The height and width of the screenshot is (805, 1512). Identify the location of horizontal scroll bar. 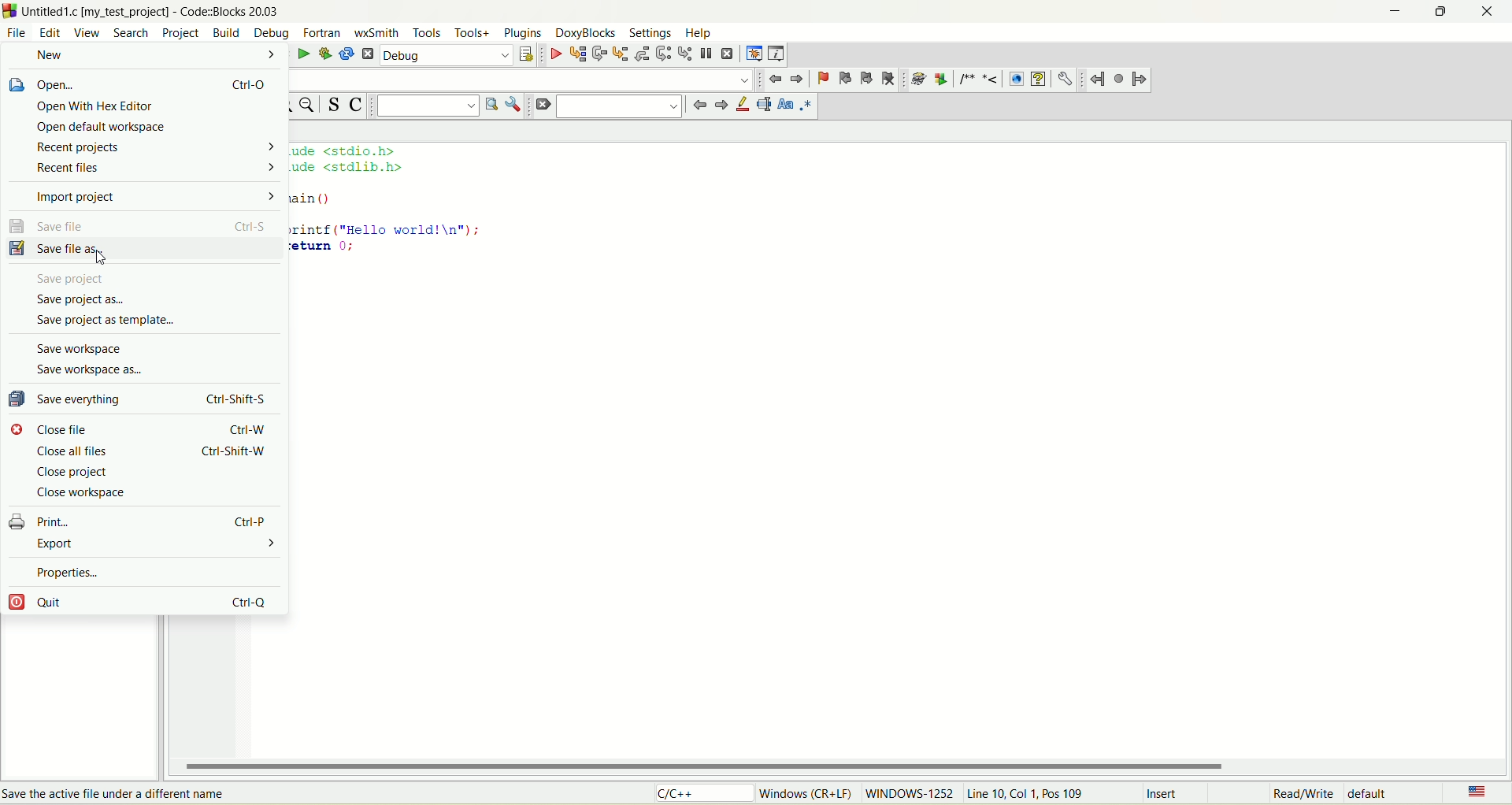
(842, 766).